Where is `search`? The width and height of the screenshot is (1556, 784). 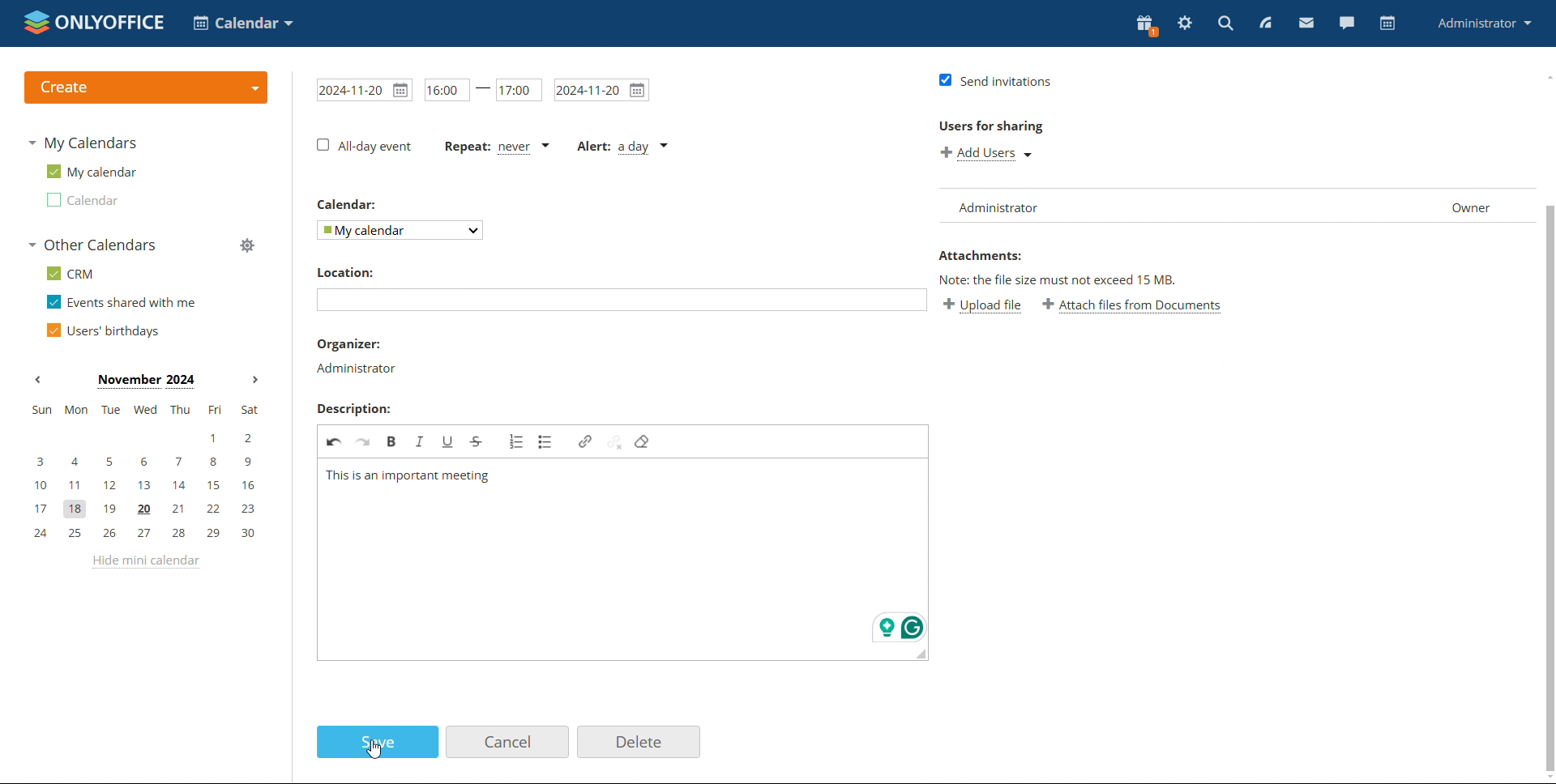
search is located at coordinates (1226, 23).